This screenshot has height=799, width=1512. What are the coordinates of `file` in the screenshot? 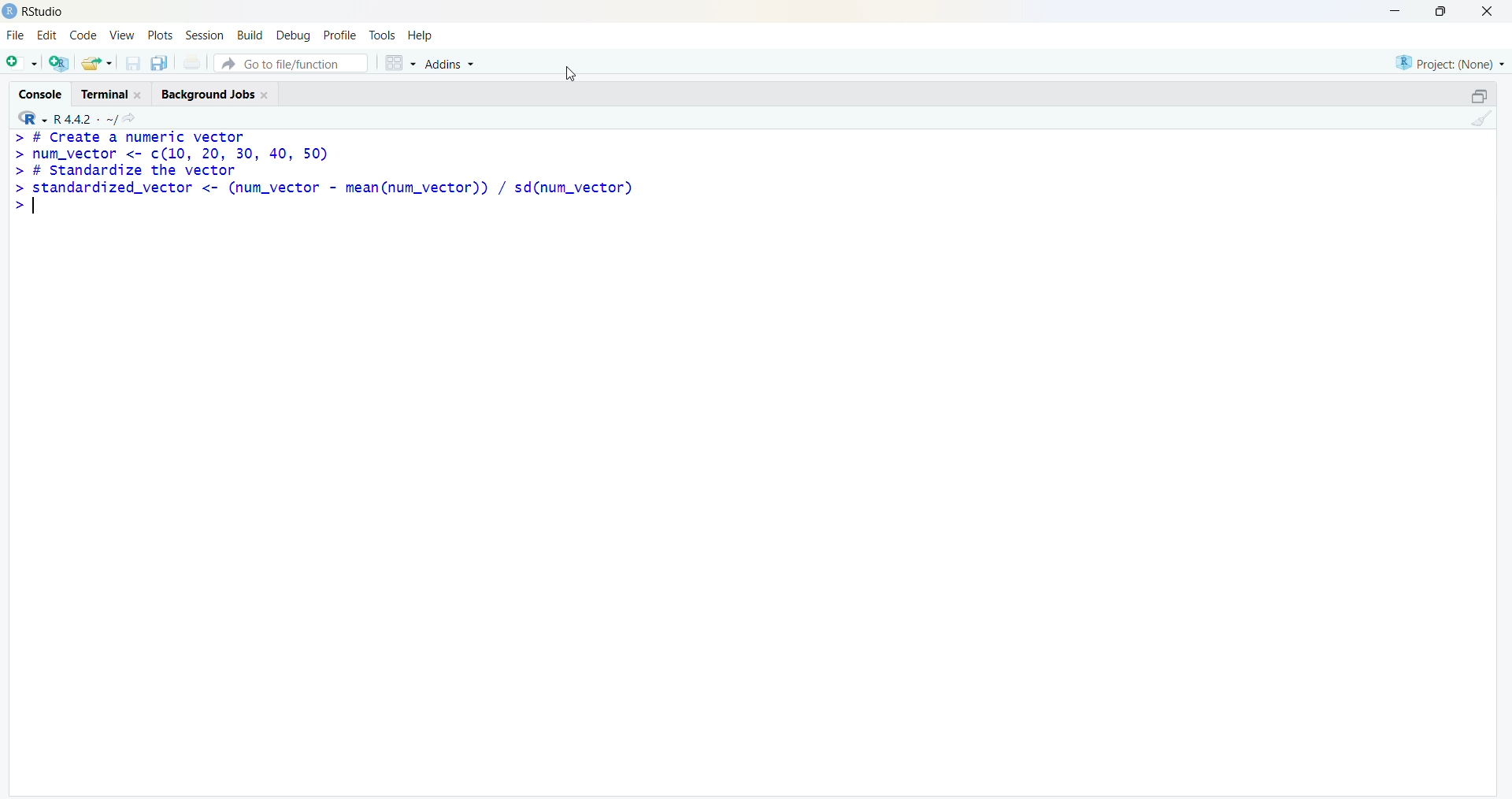 It's located at (16, 35).